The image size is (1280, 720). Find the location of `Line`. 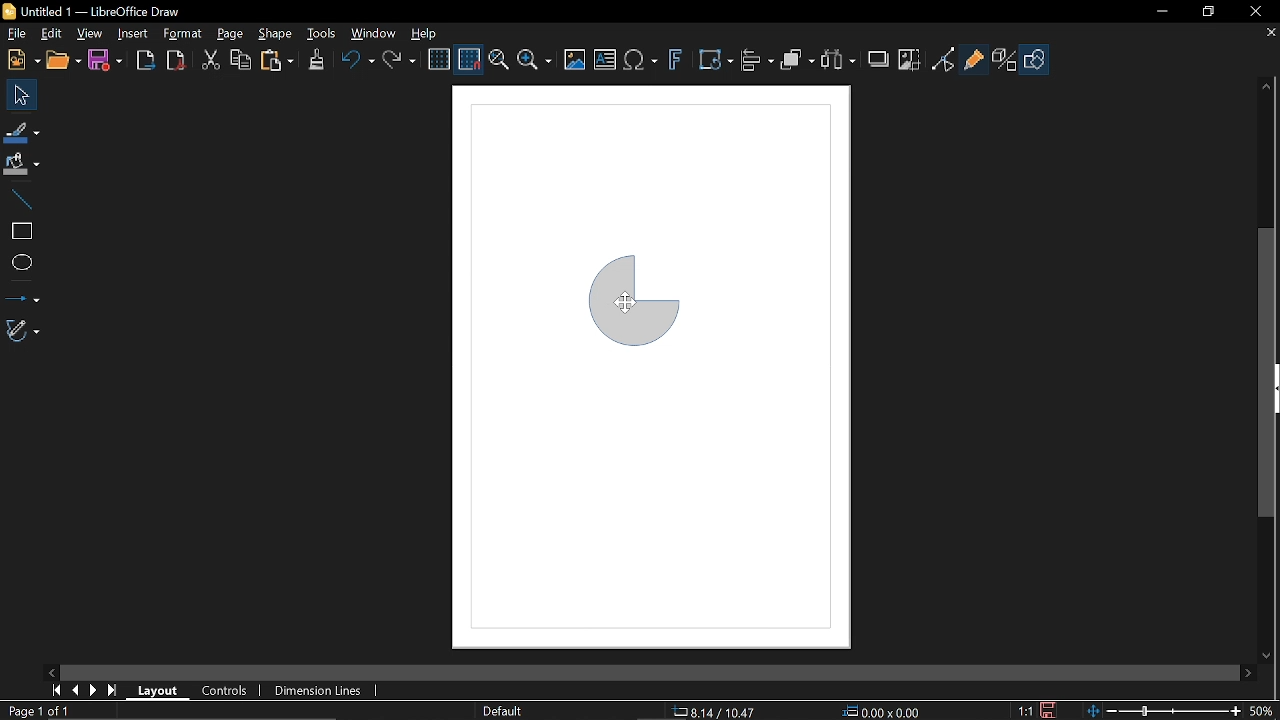

Line is located at coordinates (19, 199).